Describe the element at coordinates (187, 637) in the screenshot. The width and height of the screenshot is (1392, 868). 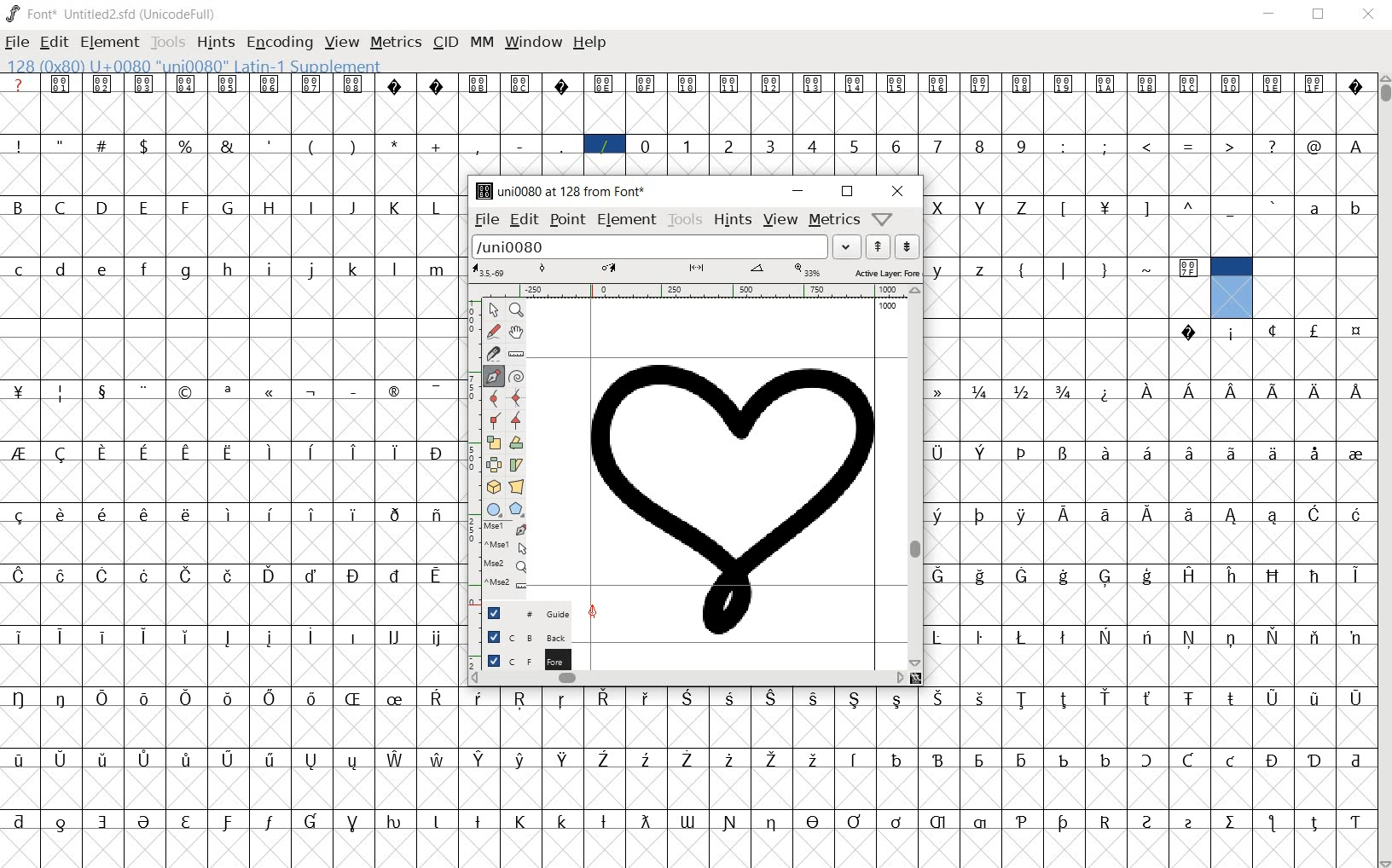
I see `glyph` at that location.